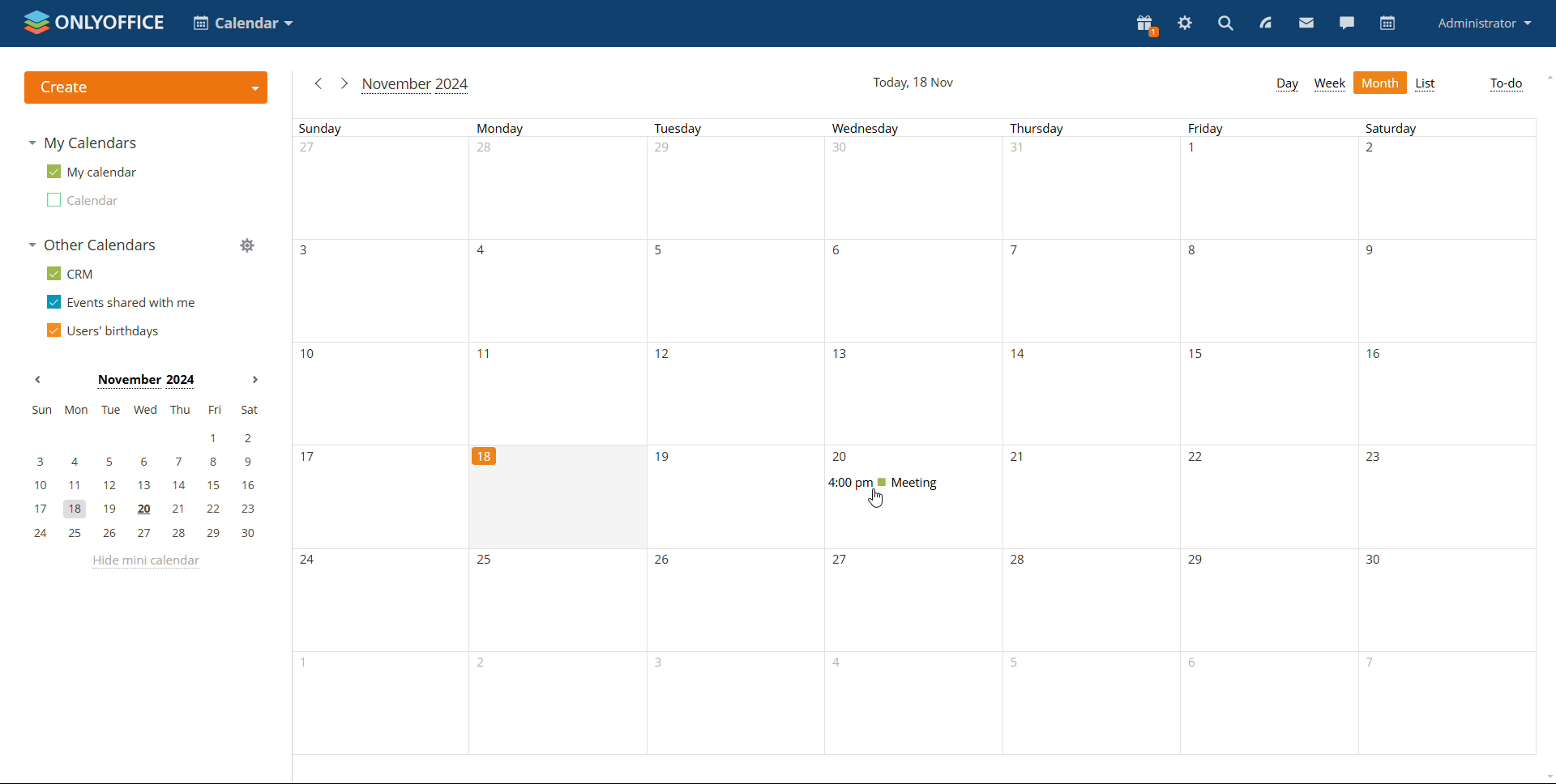 This screenshot has width=1556, height=784. I want to click on feed, so click(1269, 22).